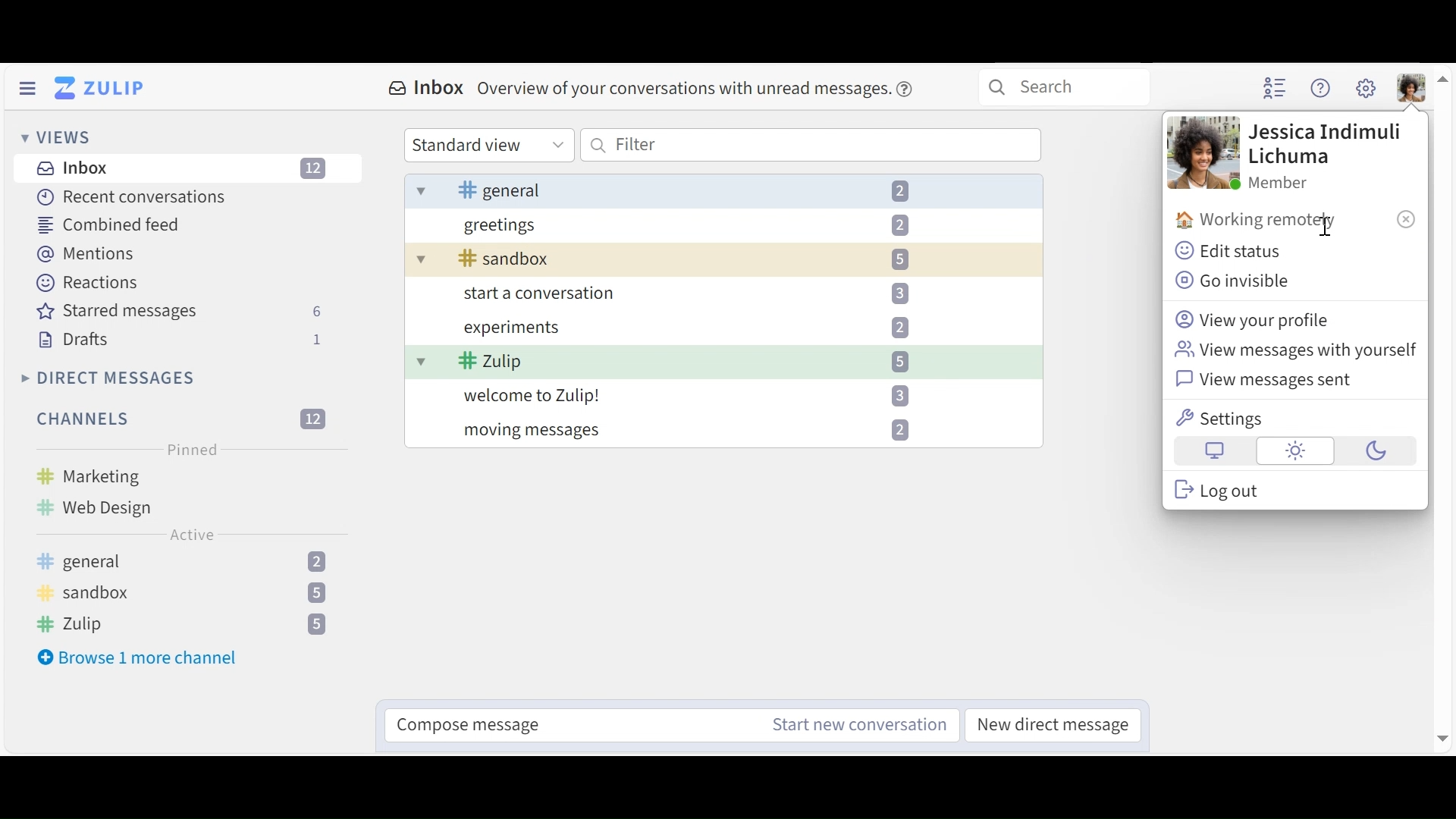 This screenshot has height=819, width=1456. What do you see at coordinates (485, 326) in the screenshot?
I see `experiments` at bounding box center [485, 326].